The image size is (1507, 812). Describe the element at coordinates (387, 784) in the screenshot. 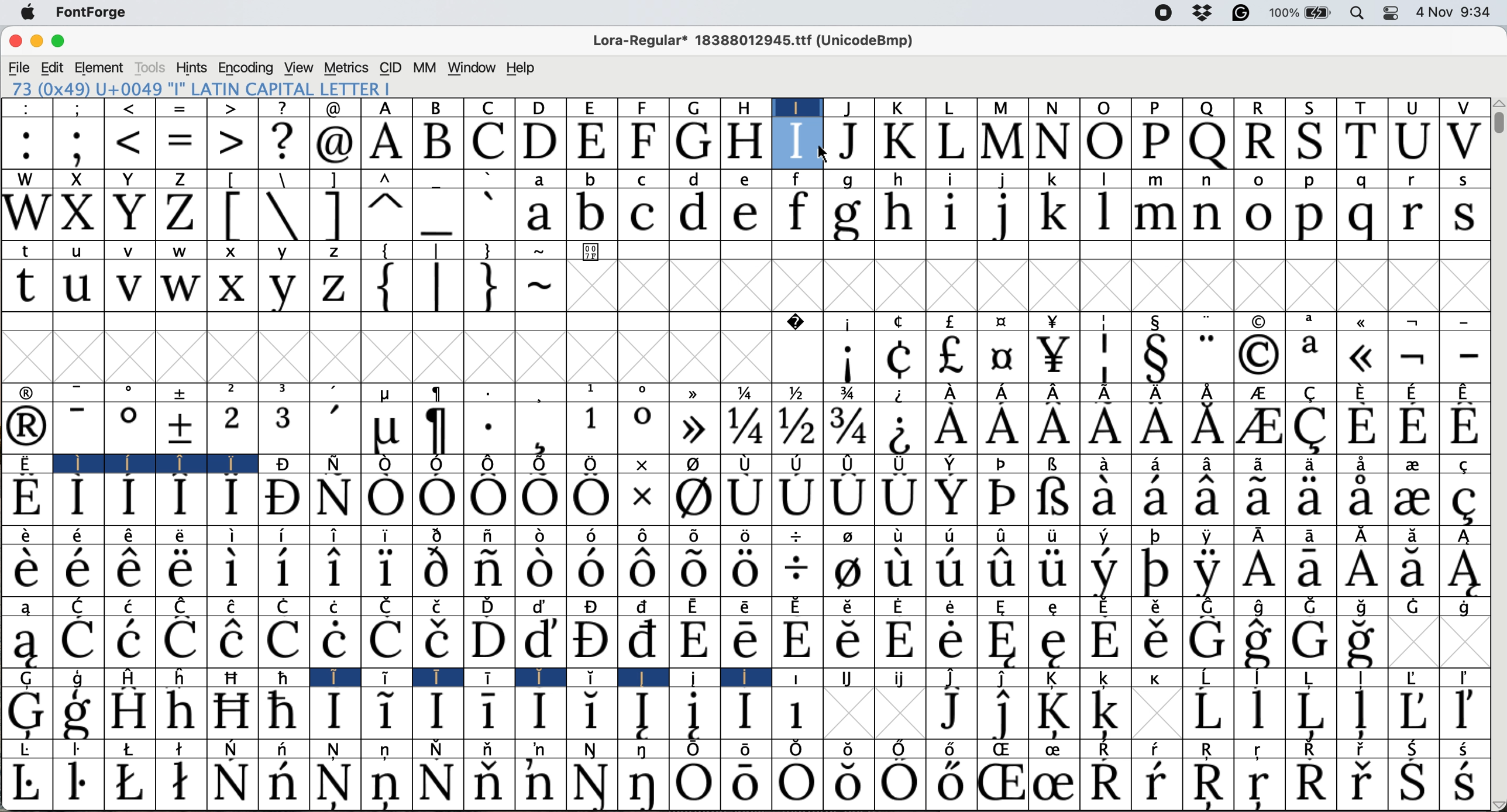

I see `Symbol` at that location.